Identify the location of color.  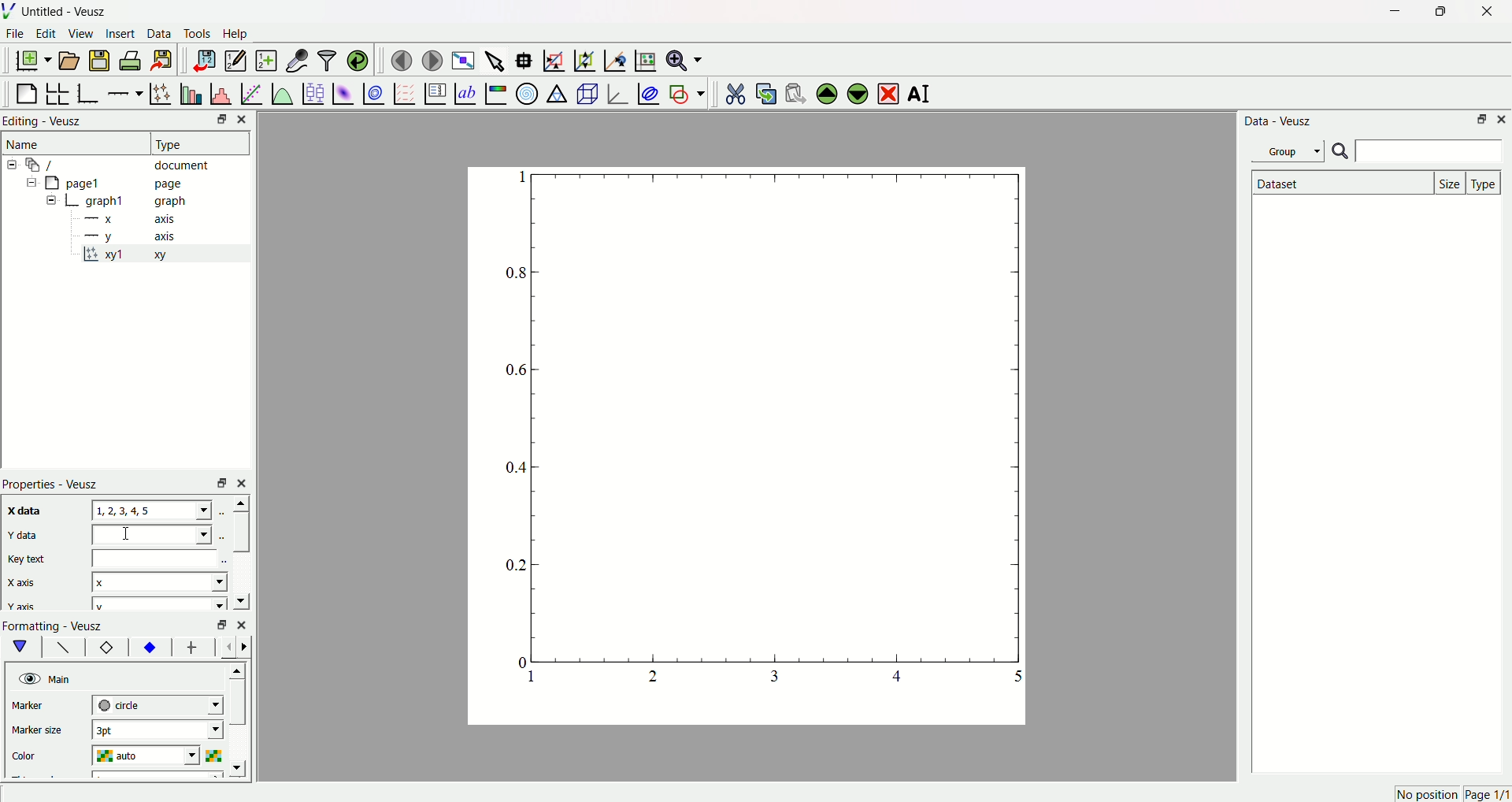
(41, 753).